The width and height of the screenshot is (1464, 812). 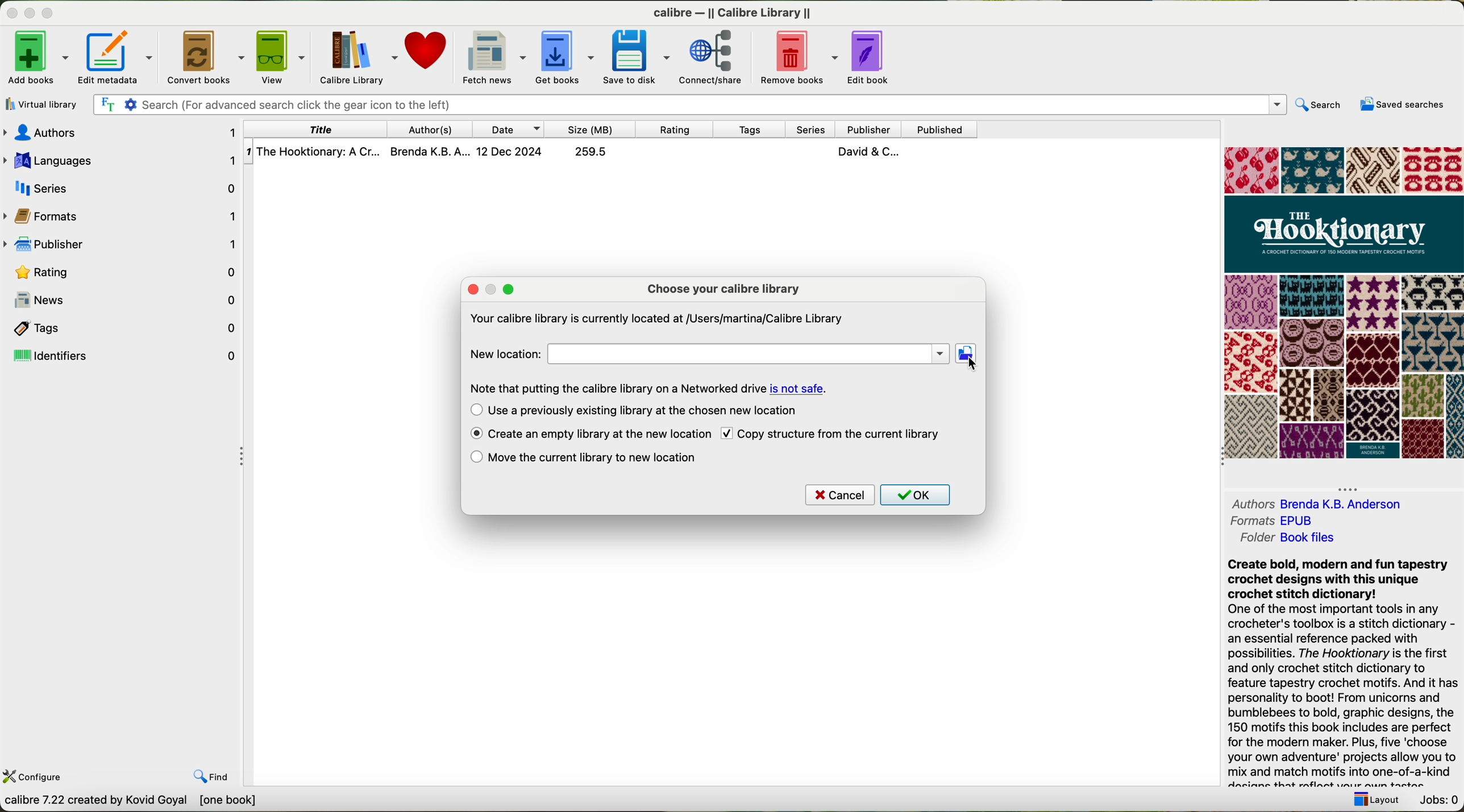 I want to click on click on create an empty library at the new location, so click(x=600, y=432).